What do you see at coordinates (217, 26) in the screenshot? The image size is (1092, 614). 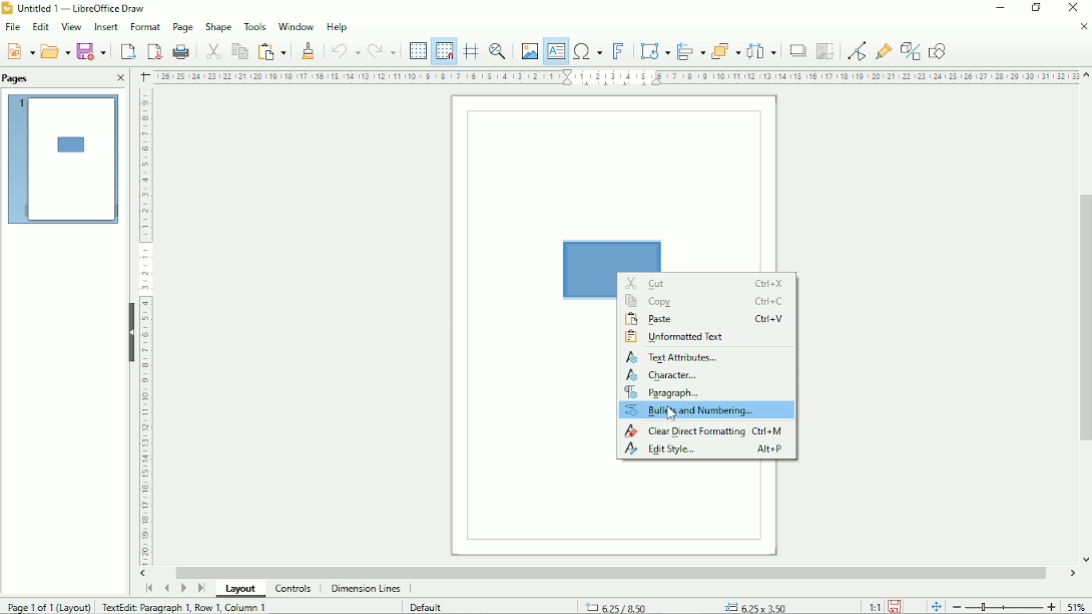 I see `Shape` at bounding box center [217, 26].